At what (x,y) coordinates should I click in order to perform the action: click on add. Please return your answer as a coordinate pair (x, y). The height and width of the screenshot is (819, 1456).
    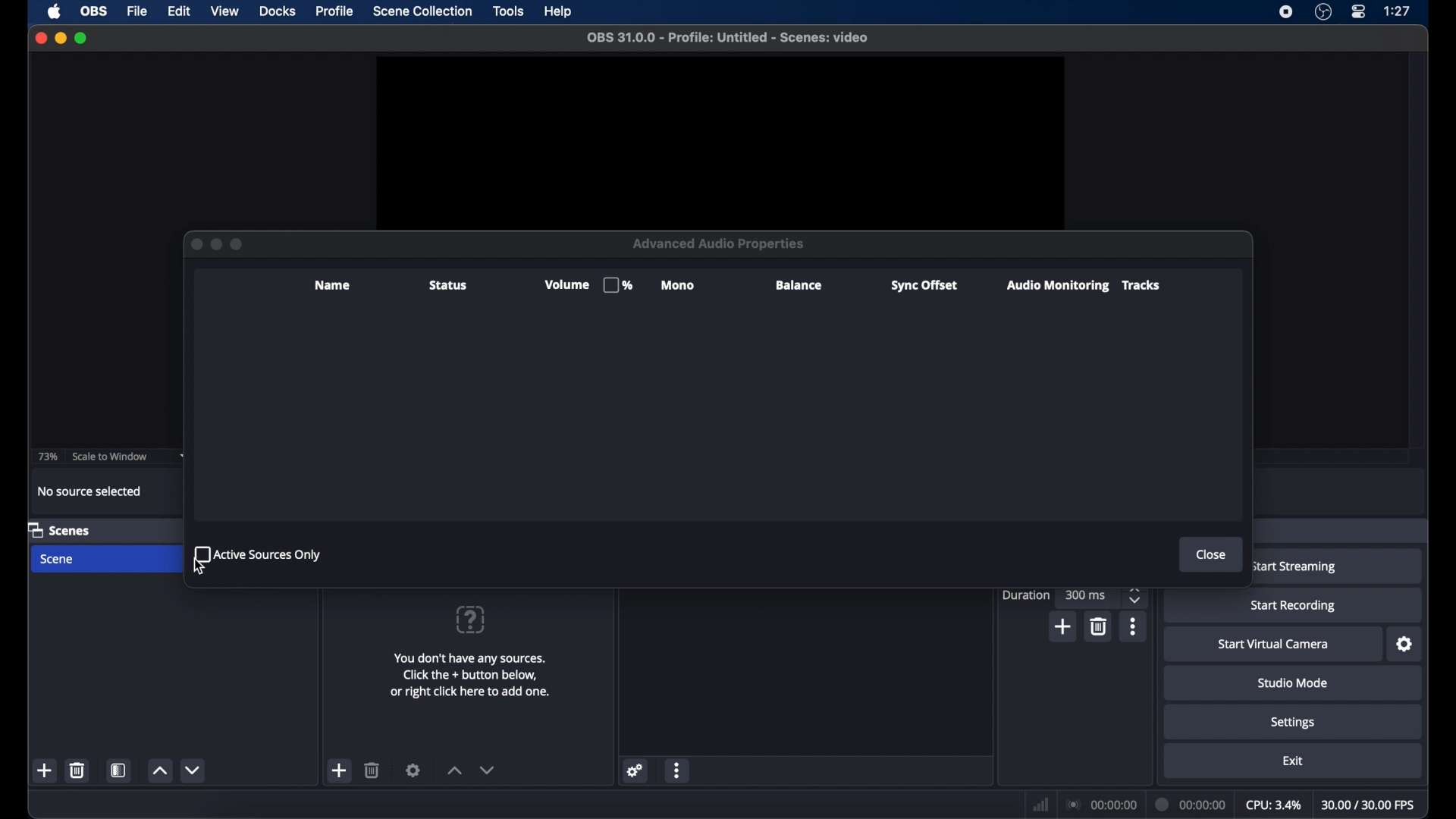
    Looking at the image, I should click on (1065, 626).